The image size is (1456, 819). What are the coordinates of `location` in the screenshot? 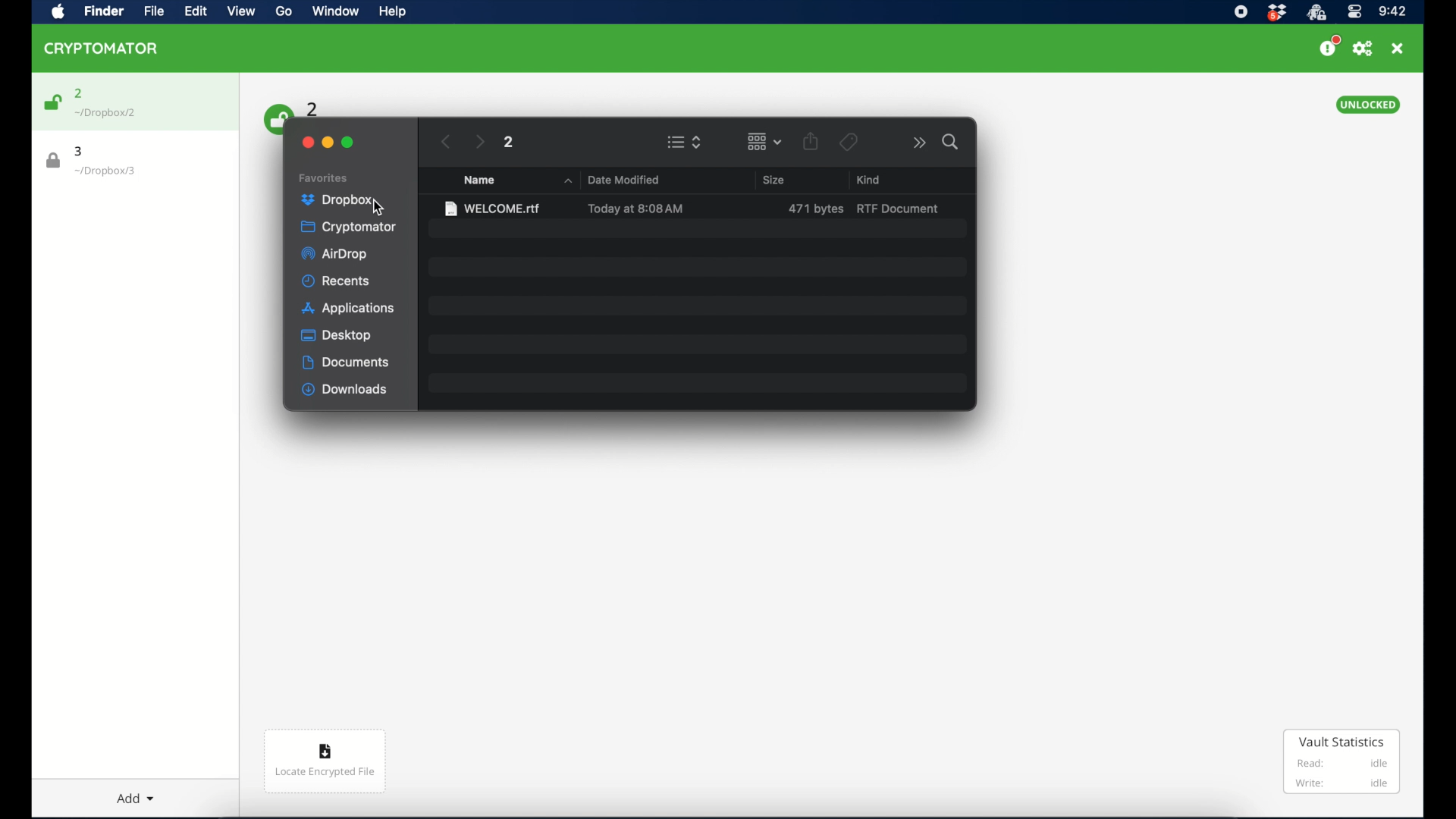 It's located at (105, 171).